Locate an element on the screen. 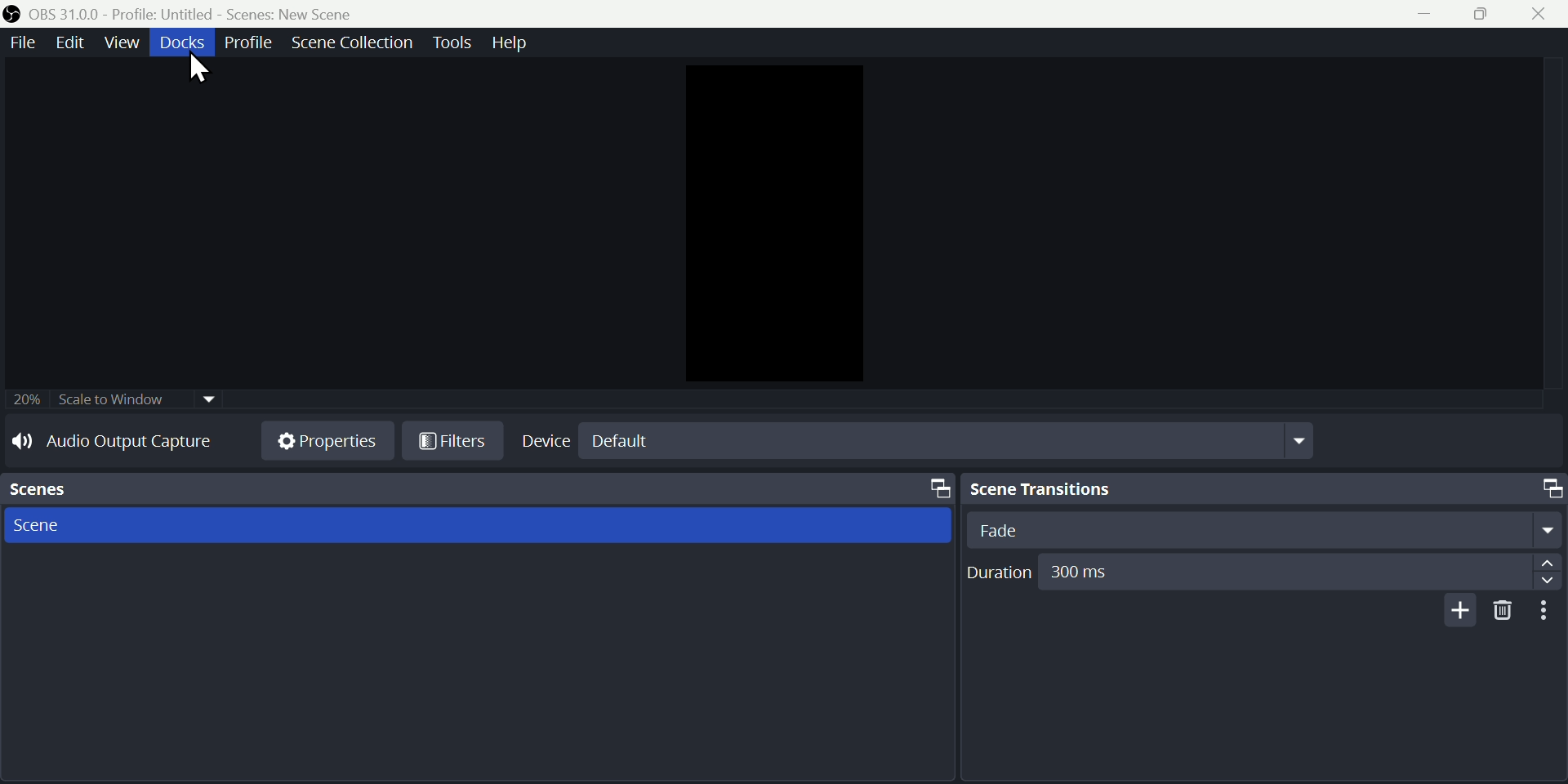 The height and width of the screenshot is (784, 1568). more options is located at coordinates (1543, 612).